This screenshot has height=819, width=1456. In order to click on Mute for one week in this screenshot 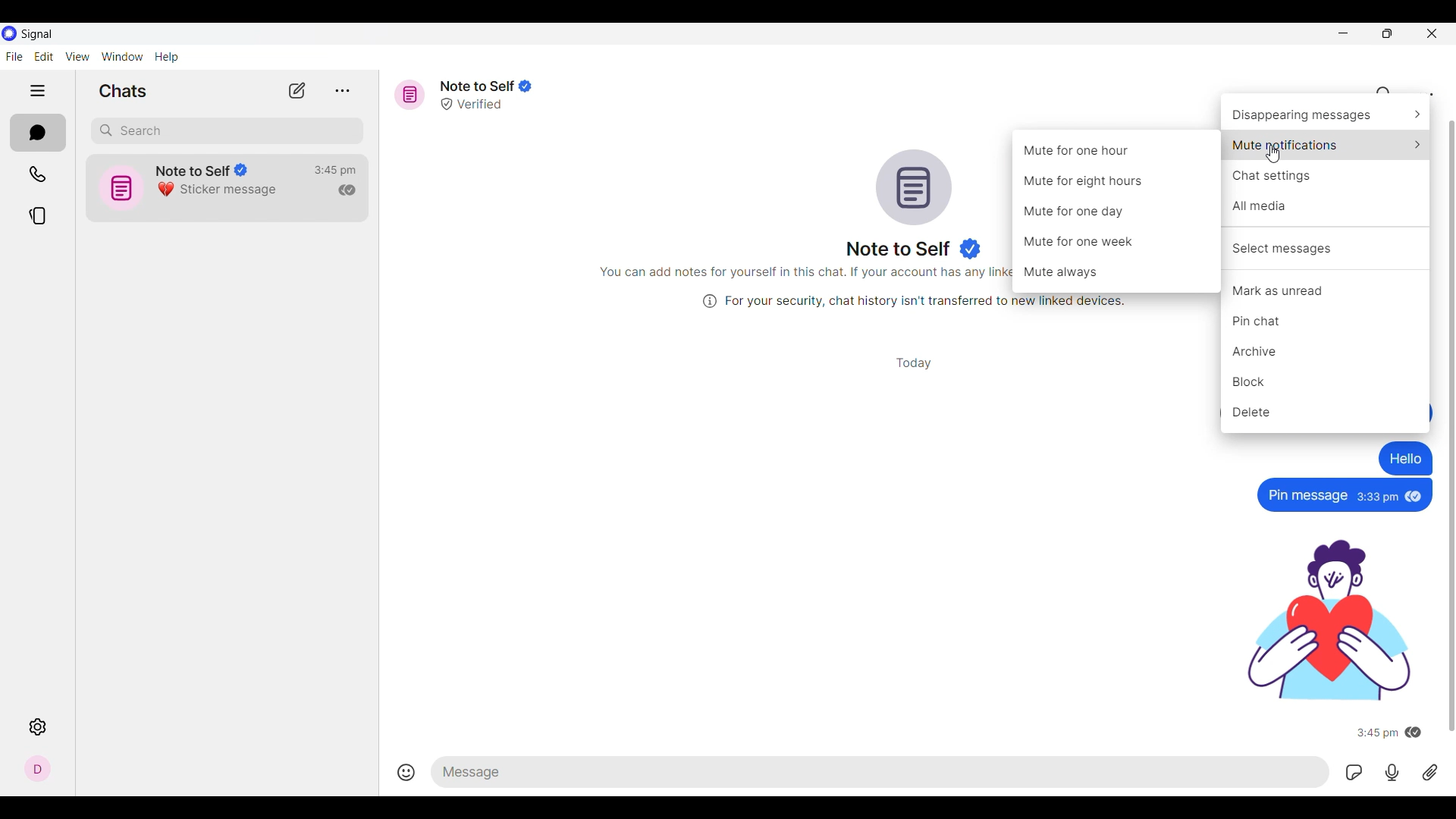, I will do `click(1084, 240)`.